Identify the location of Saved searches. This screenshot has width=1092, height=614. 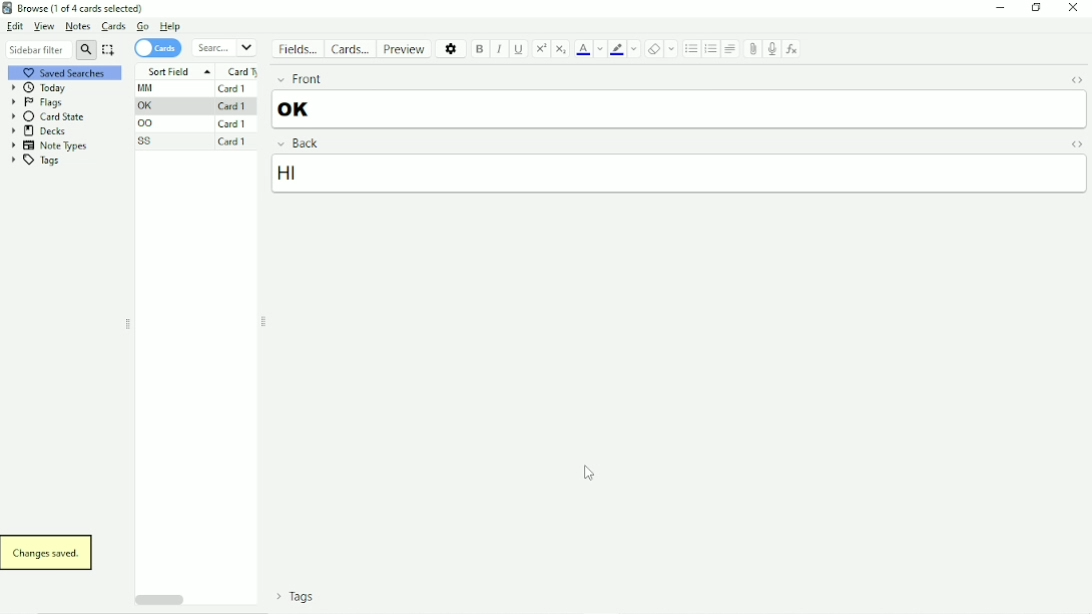
(71, 72).